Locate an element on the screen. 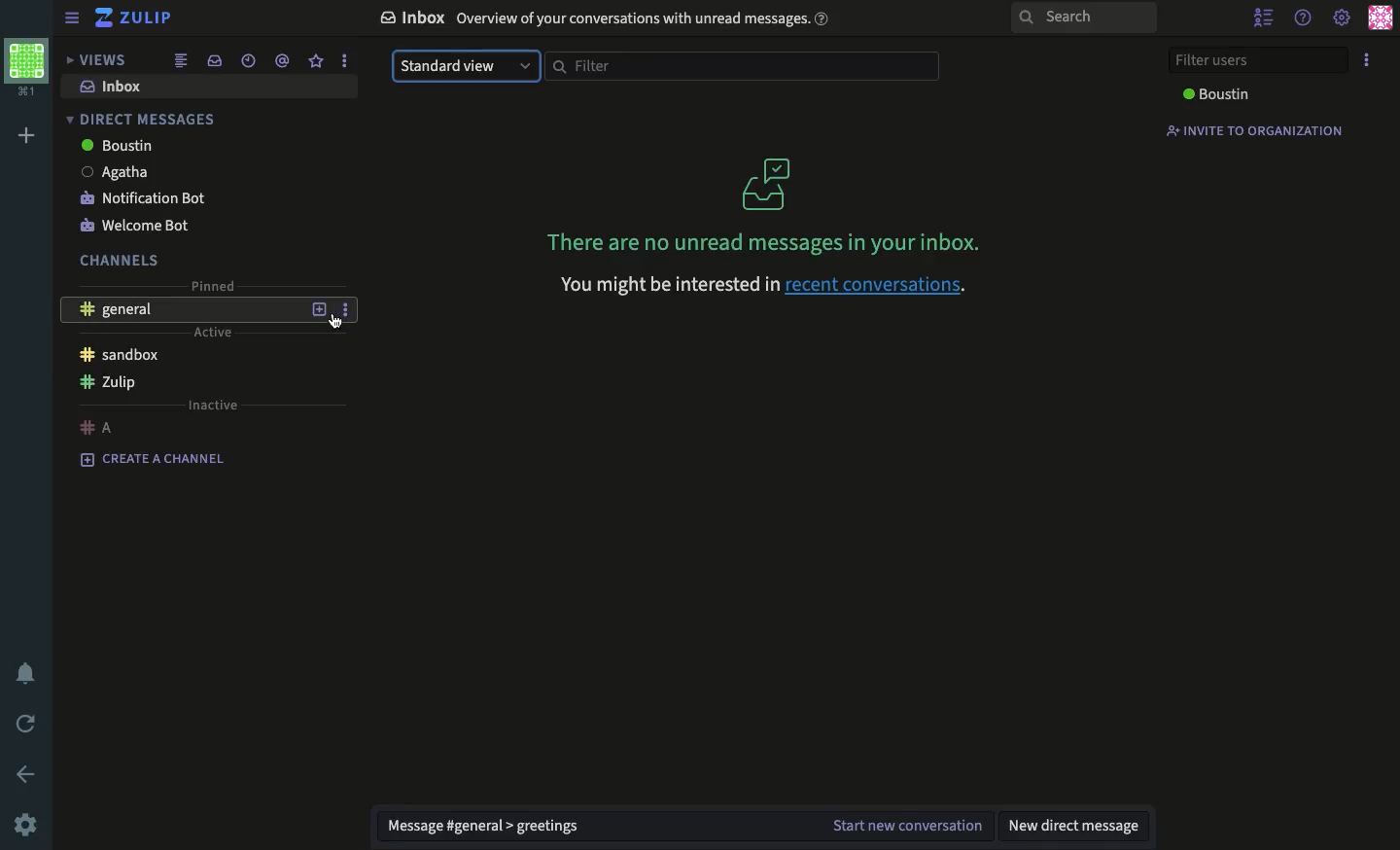 The image size is (1400, 850). options is located at coordinates (344, 307).